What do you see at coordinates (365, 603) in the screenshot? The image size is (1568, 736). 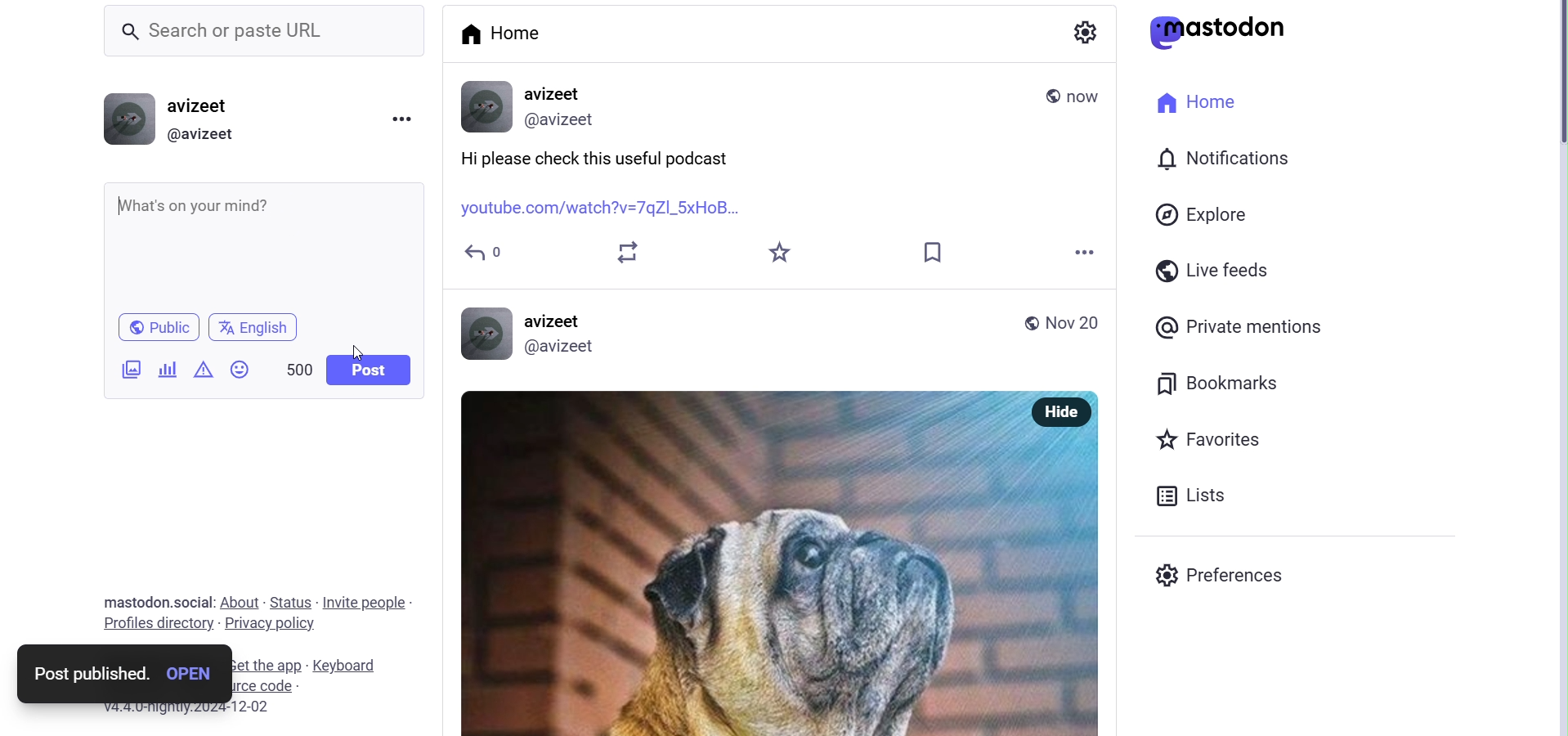 I see `invite people` at bounding box center [365, 603].